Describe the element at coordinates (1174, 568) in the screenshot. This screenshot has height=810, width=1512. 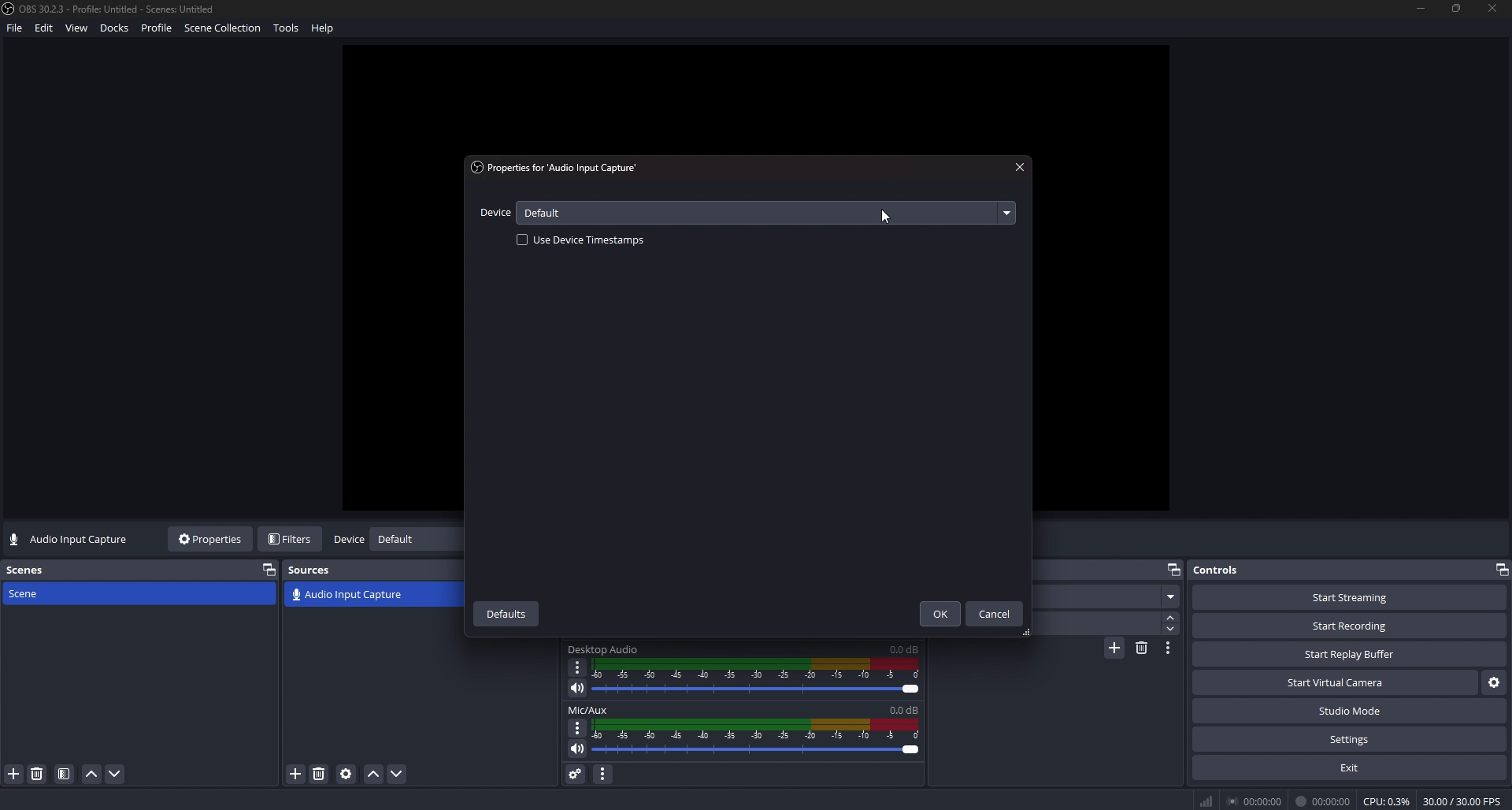
I see `pop out` at that location.